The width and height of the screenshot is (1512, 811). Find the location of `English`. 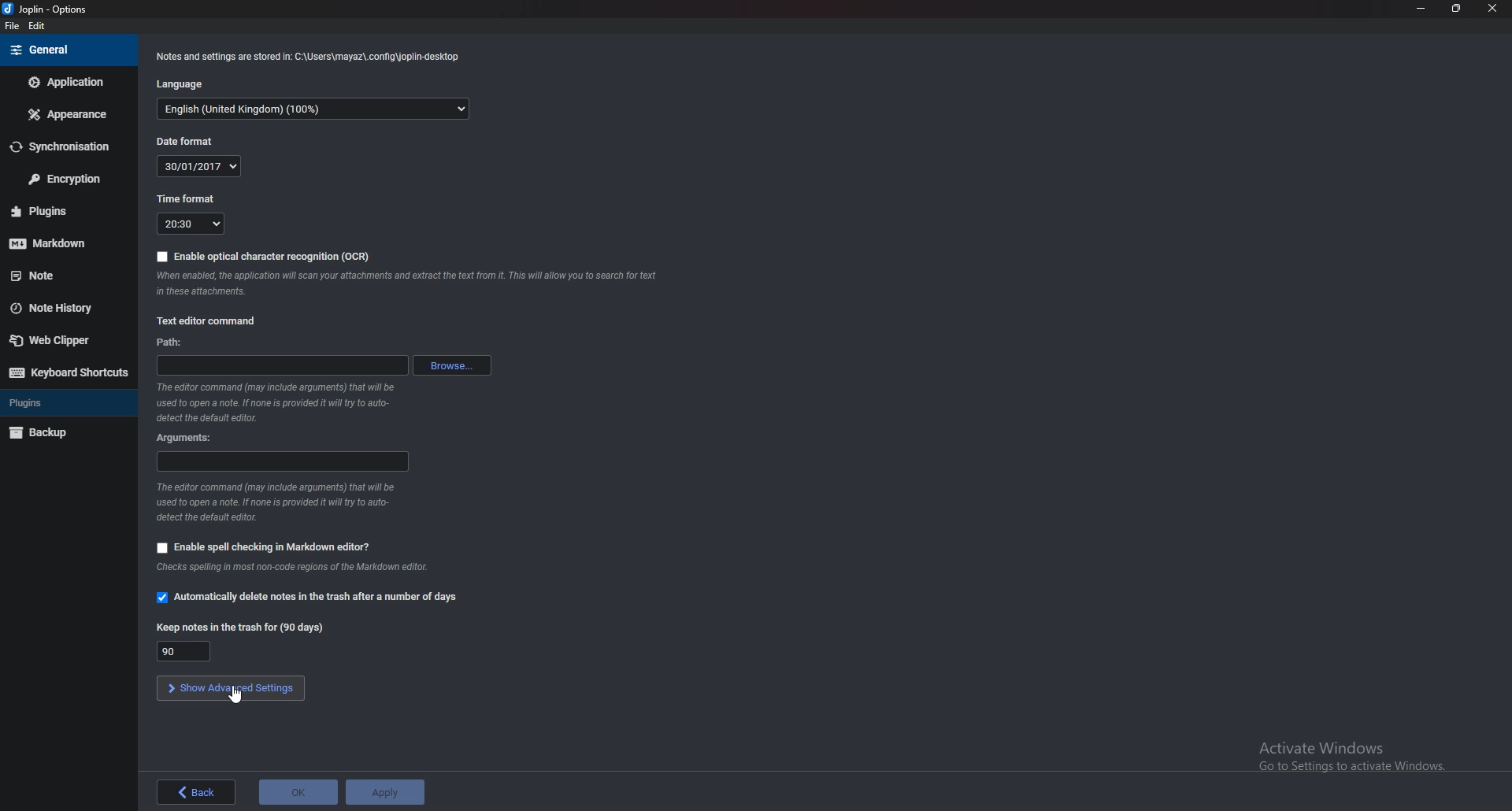

English is located at coordinates (313, 109).